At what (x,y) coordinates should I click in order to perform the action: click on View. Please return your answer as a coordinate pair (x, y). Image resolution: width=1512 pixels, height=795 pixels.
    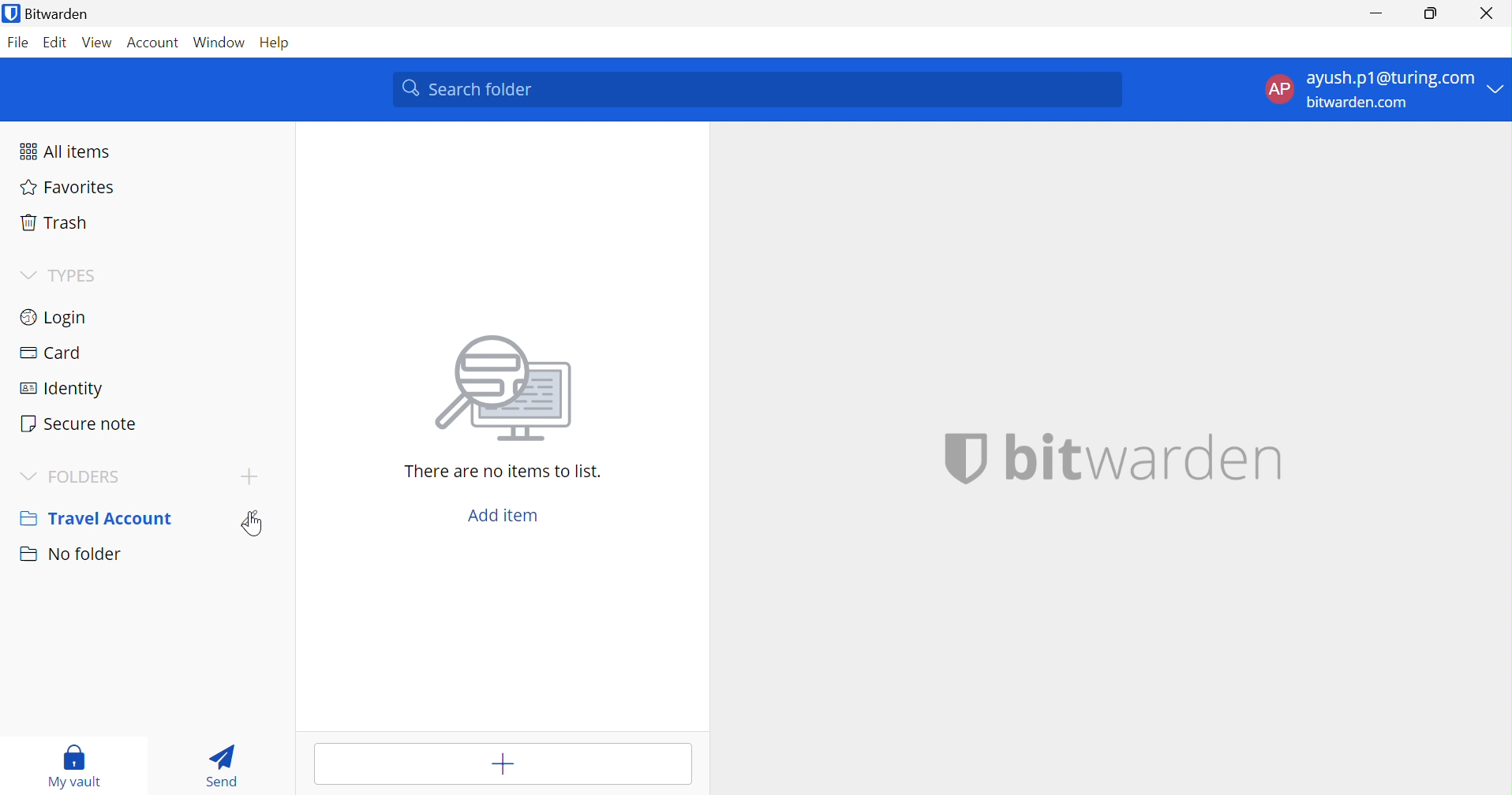
    Looking at the image, I should click on (99, 42).